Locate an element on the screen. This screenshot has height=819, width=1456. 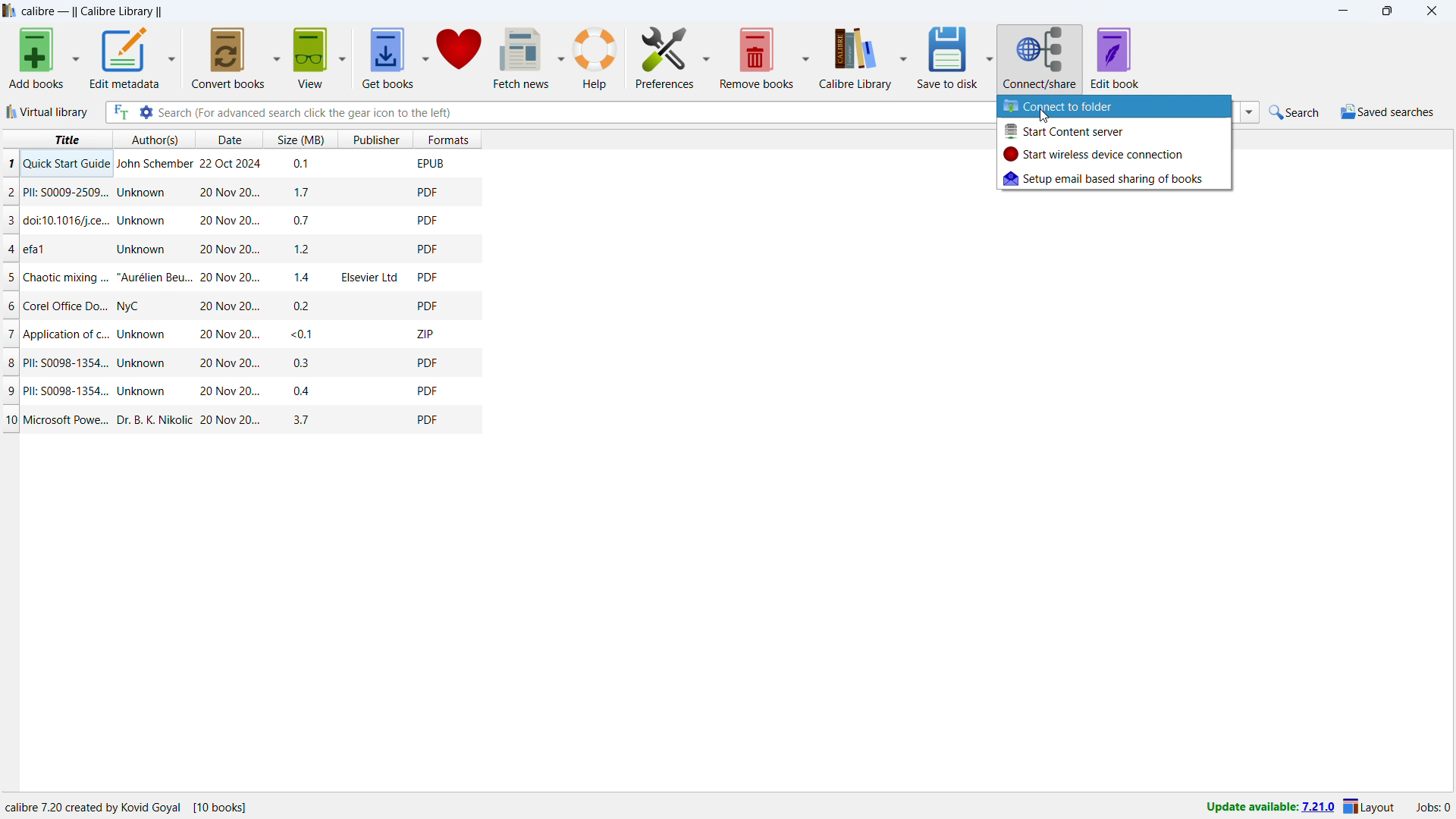
fetch news is located at coordinates (522, 57).